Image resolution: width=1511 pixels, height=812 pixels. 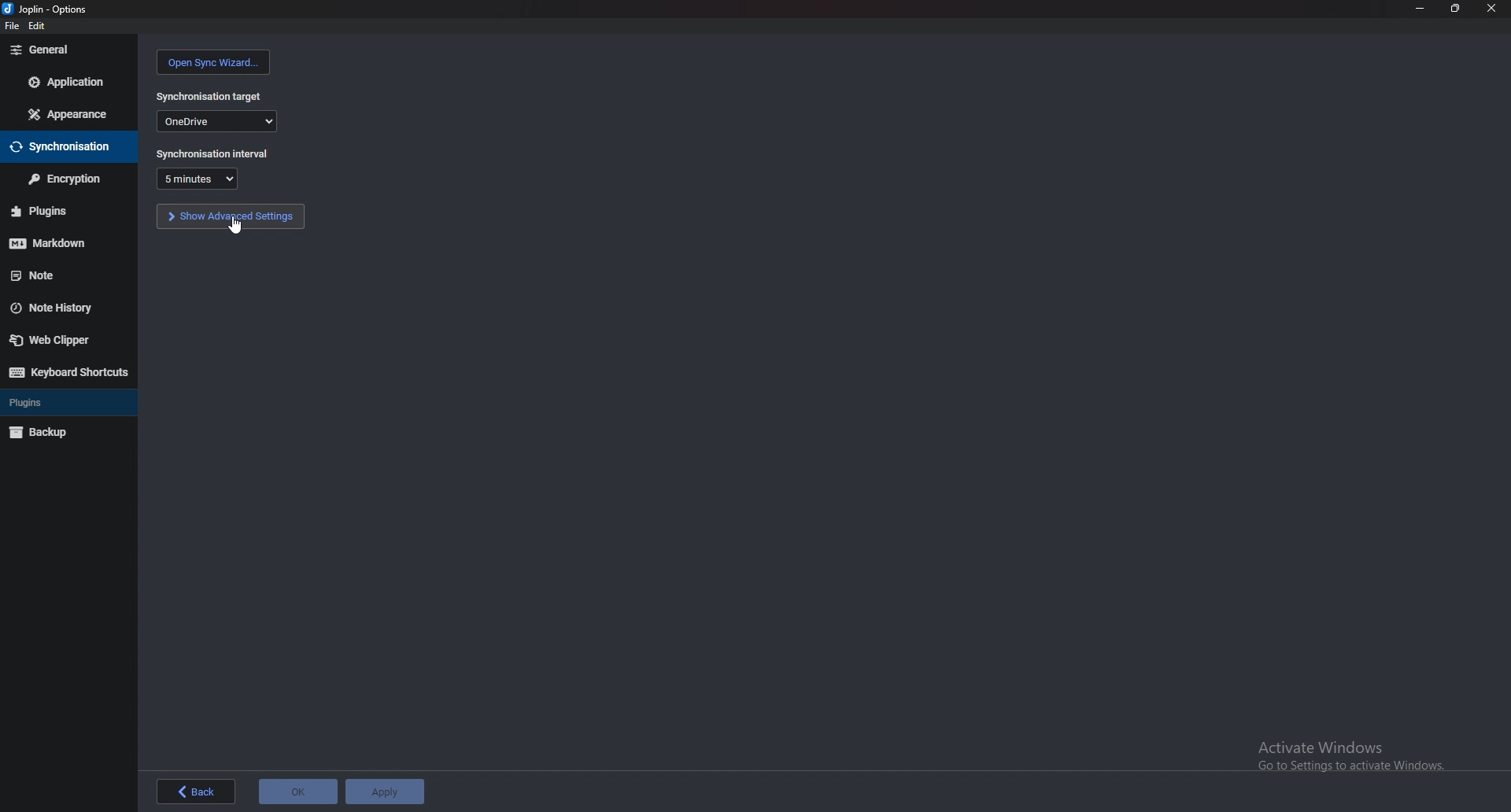 I want to click on plugins, so click(x=63, y=211).